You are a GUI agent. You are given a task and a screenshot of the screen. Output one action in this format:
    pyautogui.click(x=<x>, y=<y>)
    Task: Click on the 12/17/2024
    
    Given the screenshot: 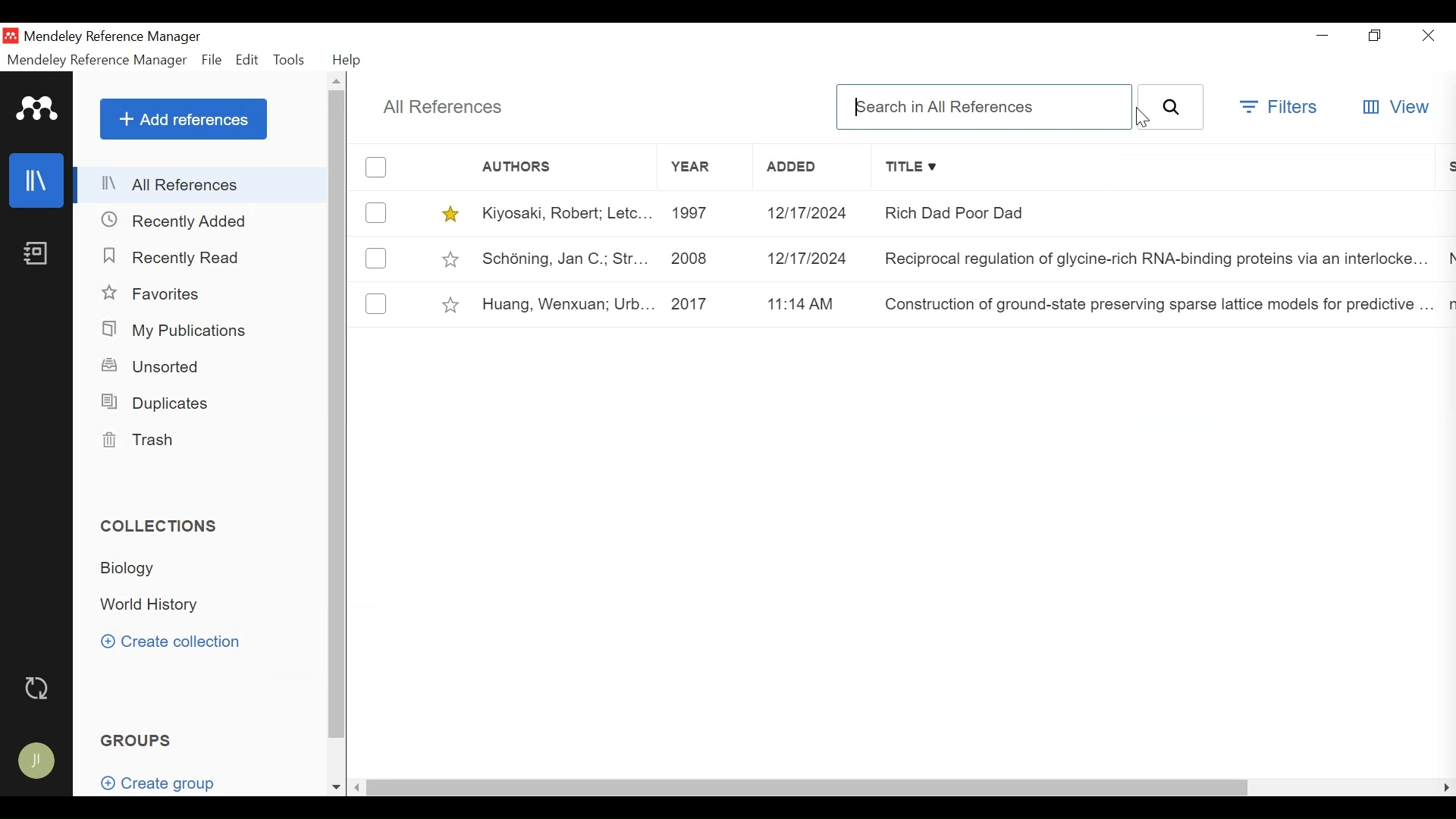 What is the action you would take?
    pyautogui.click(x=811, y=257)
    